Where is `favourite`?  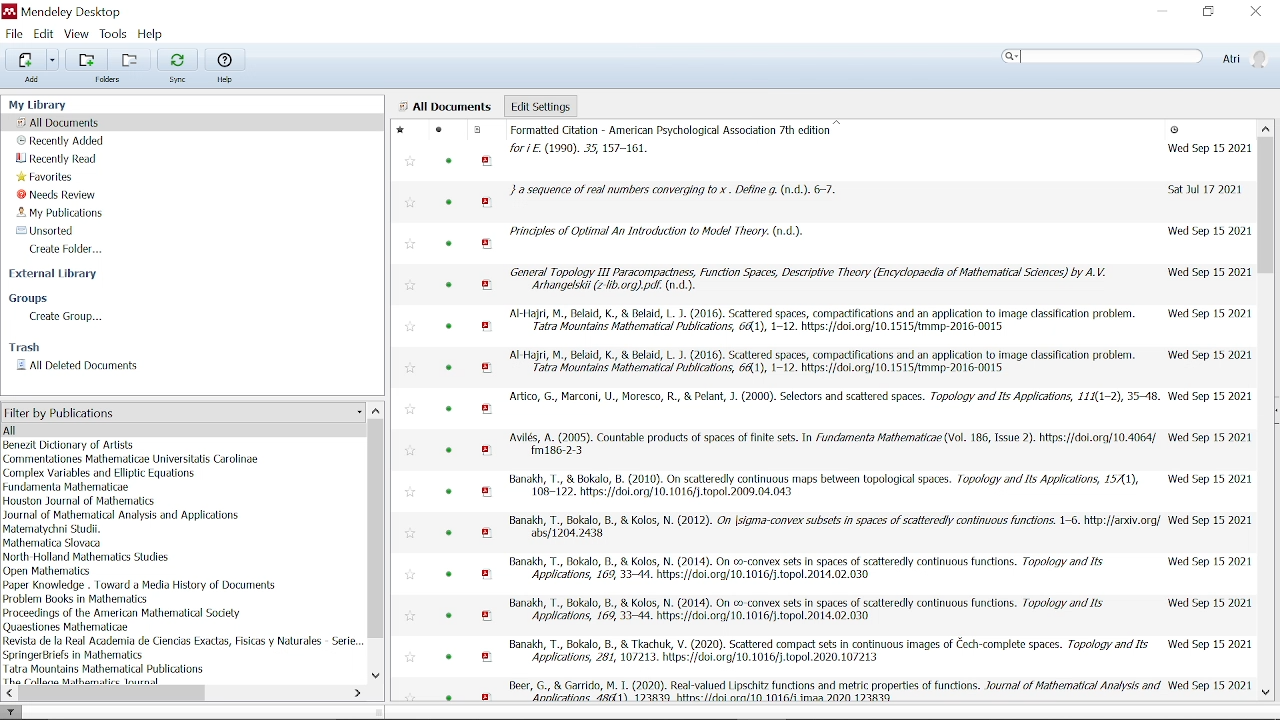 favourite is located at coordinates (409, 163).